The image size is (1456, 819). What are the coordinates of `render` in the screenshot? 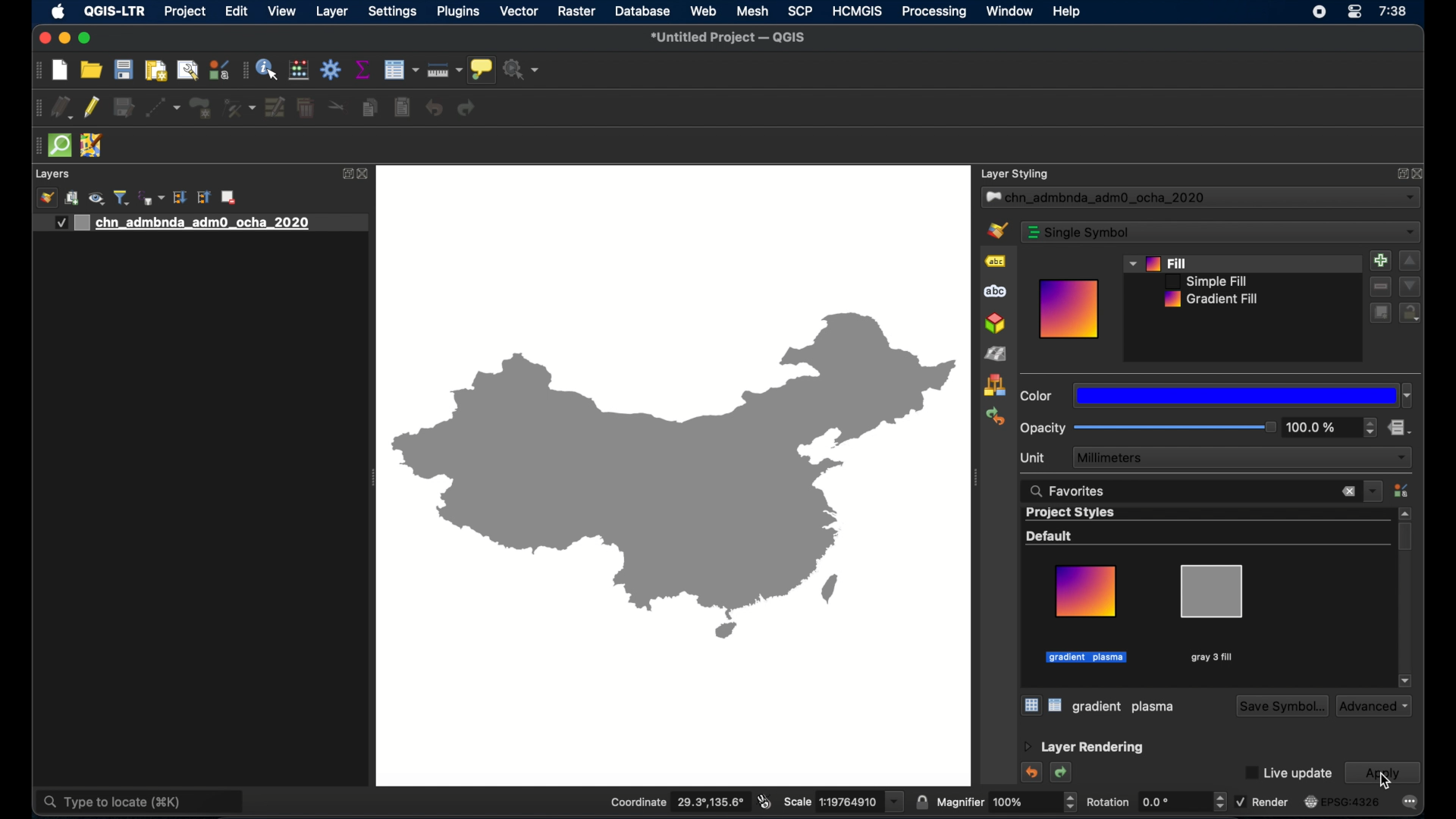 It's located at (1263, 802).